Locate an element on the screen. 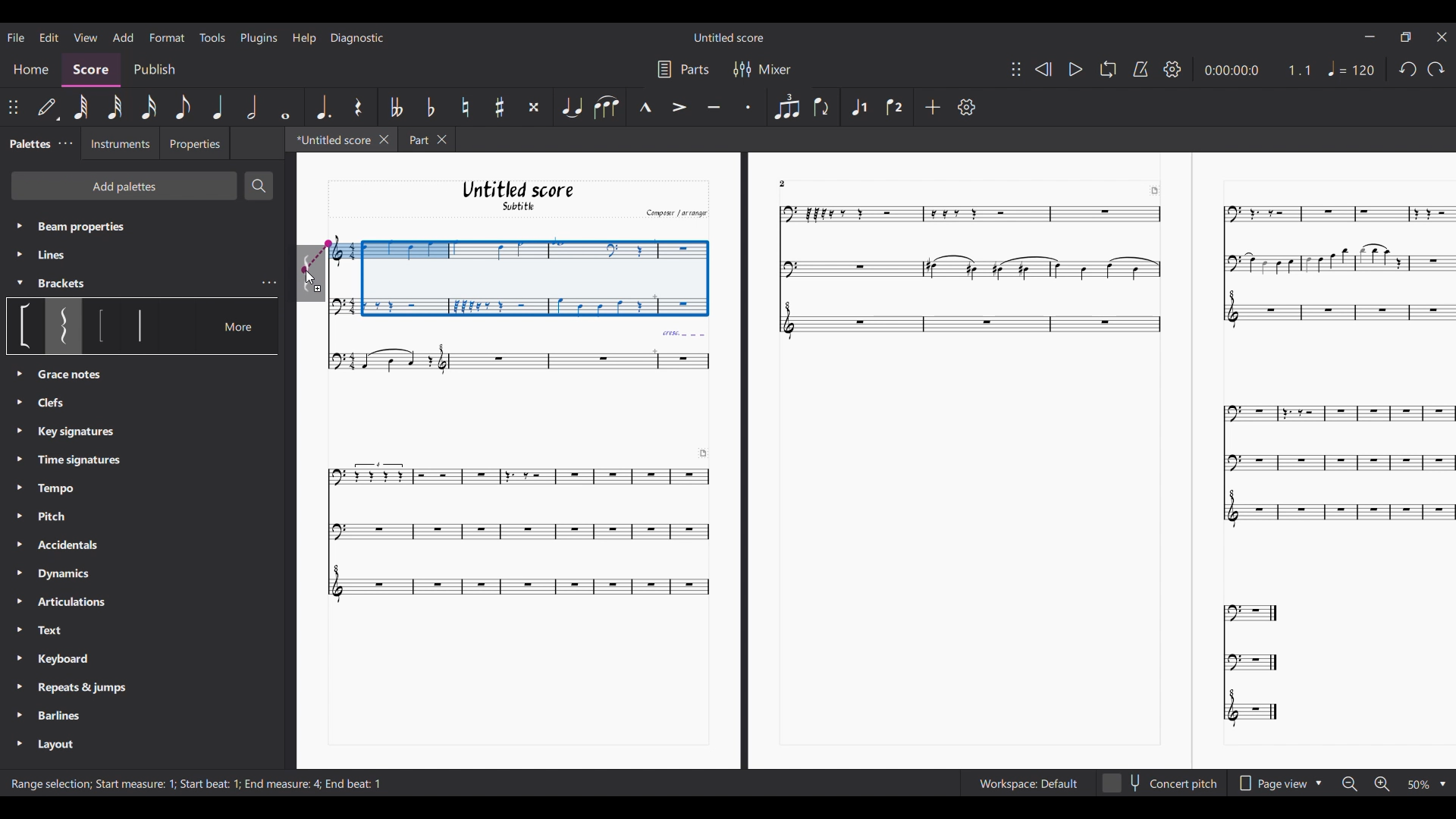 Image resolution: width=1456 pixels, height=819 pixels.  is located at coordinates (1338, 416).